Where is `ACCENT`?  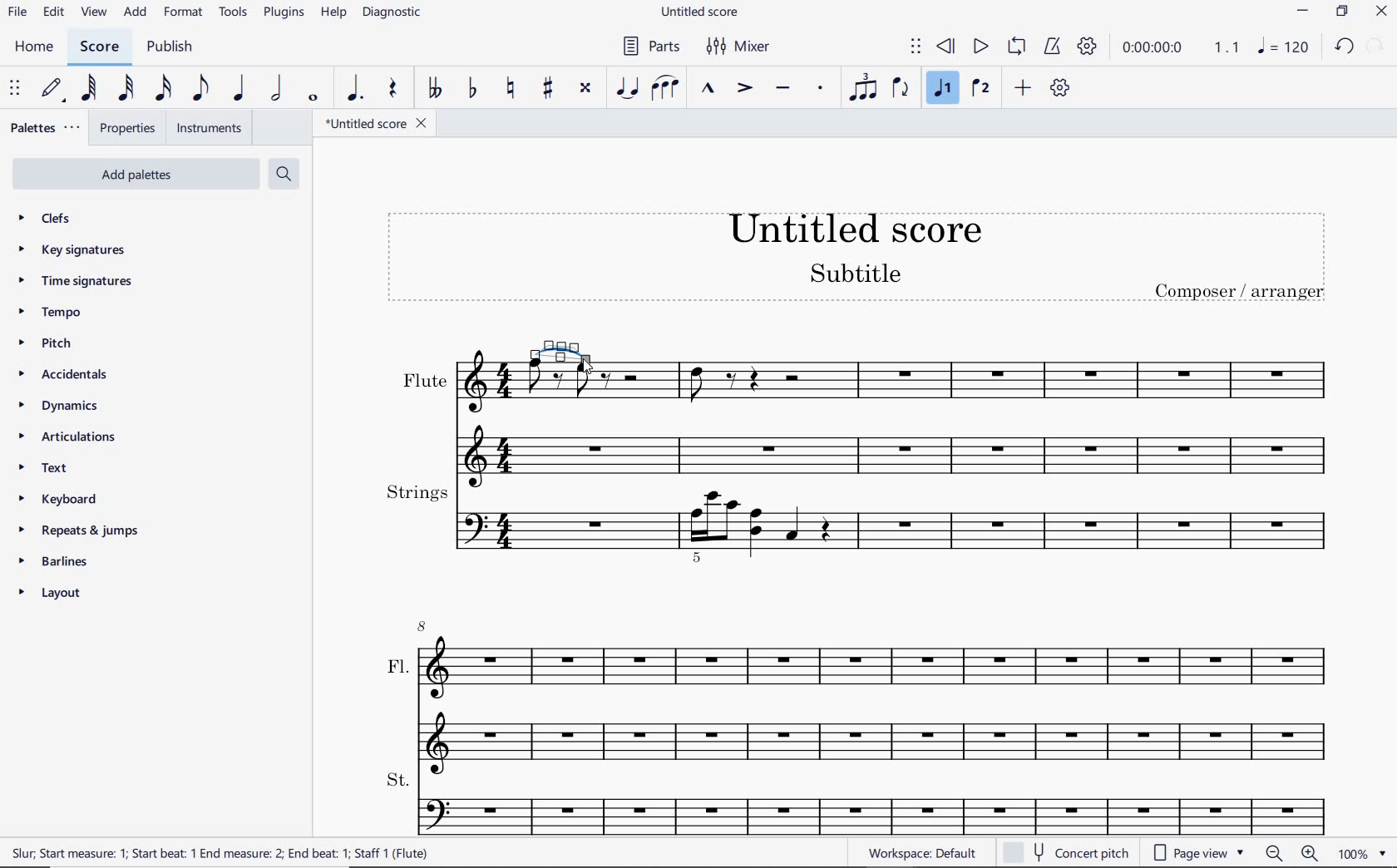 ACCENT is located at coordinates (741, 90).